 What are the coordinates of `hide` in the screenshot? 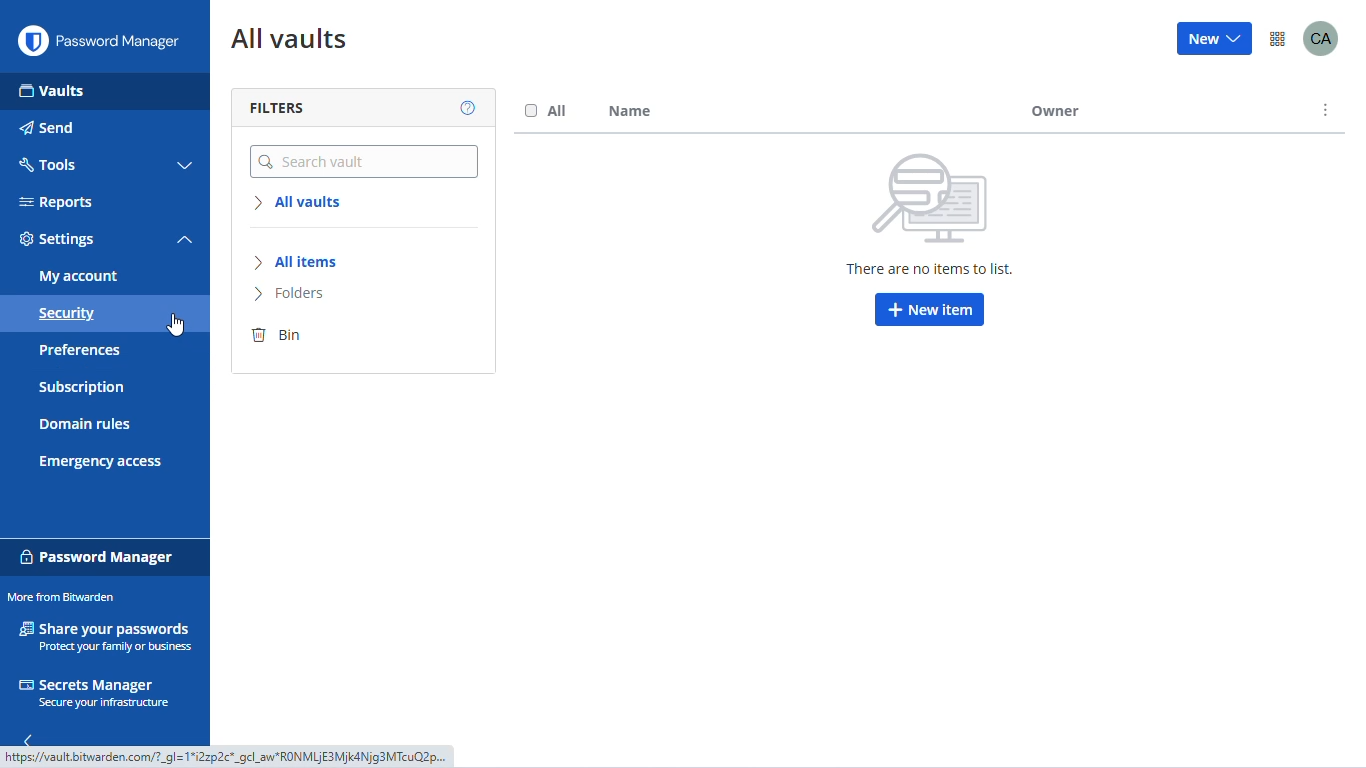 It's located at (26, 737).